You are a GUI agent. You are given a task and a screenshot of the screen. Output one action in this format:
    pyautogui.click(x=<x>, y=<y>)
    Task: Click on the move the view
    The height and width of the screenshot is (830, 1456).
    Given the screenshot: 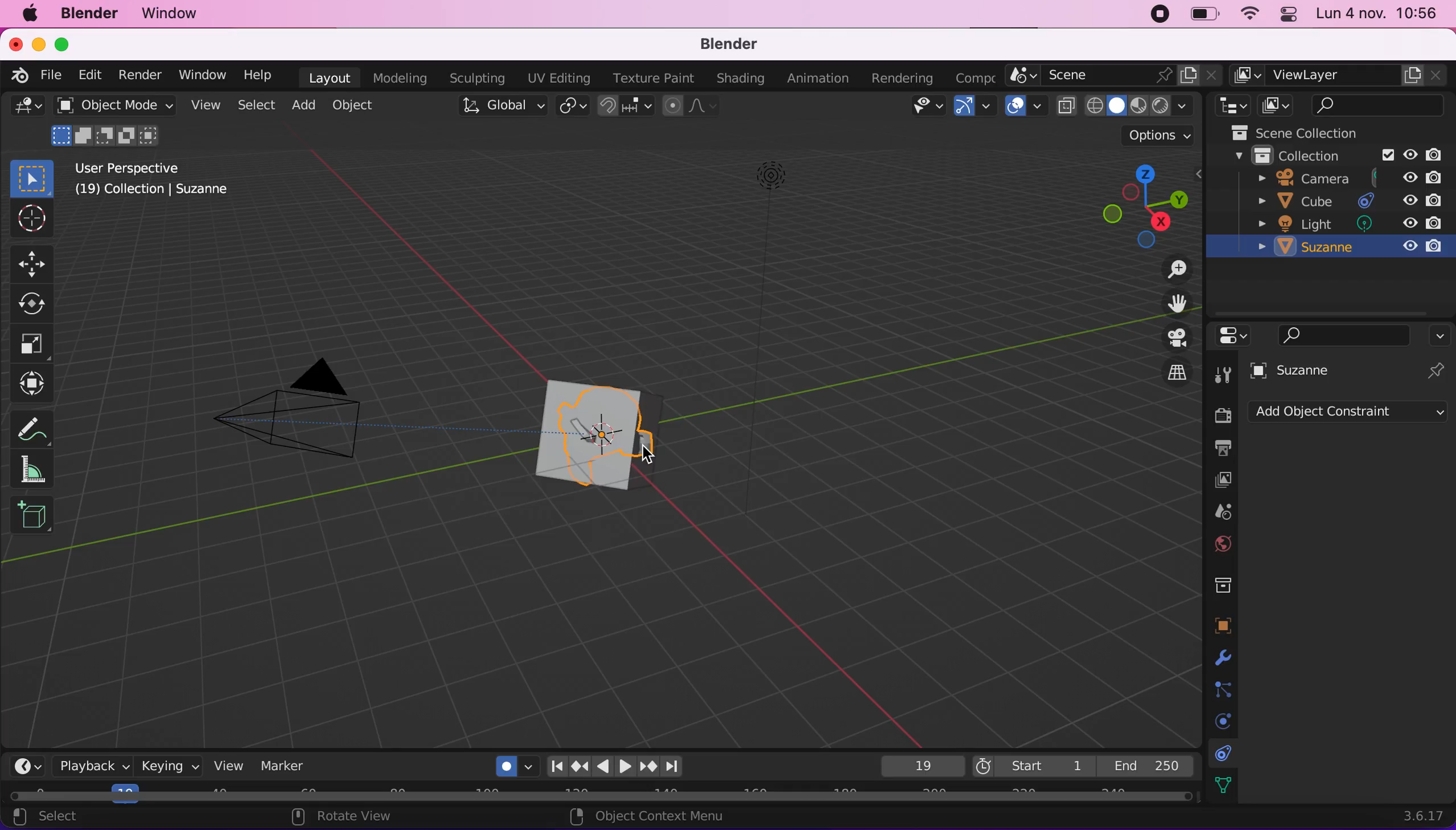 What is the action you would take?
    pyautogui.click(x=1176, y=303)
    